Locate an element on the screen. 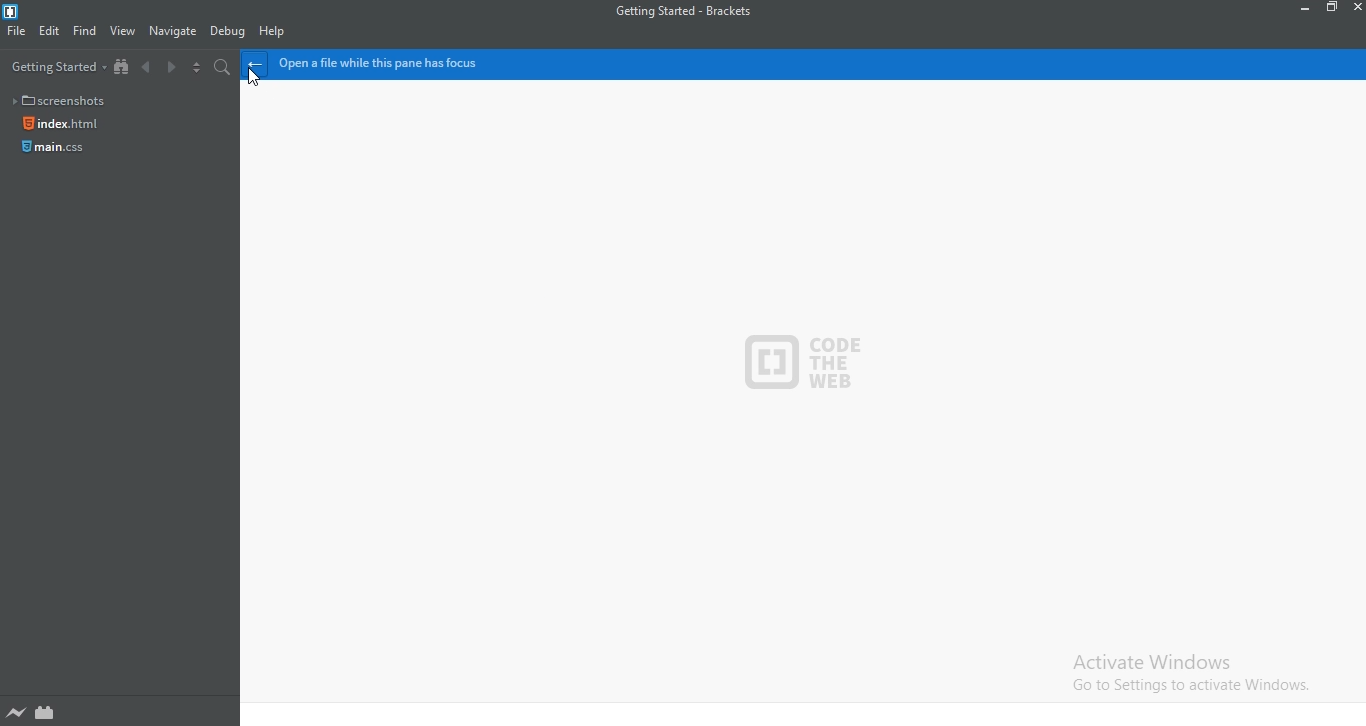  Help is located at coordinates (275, 34).